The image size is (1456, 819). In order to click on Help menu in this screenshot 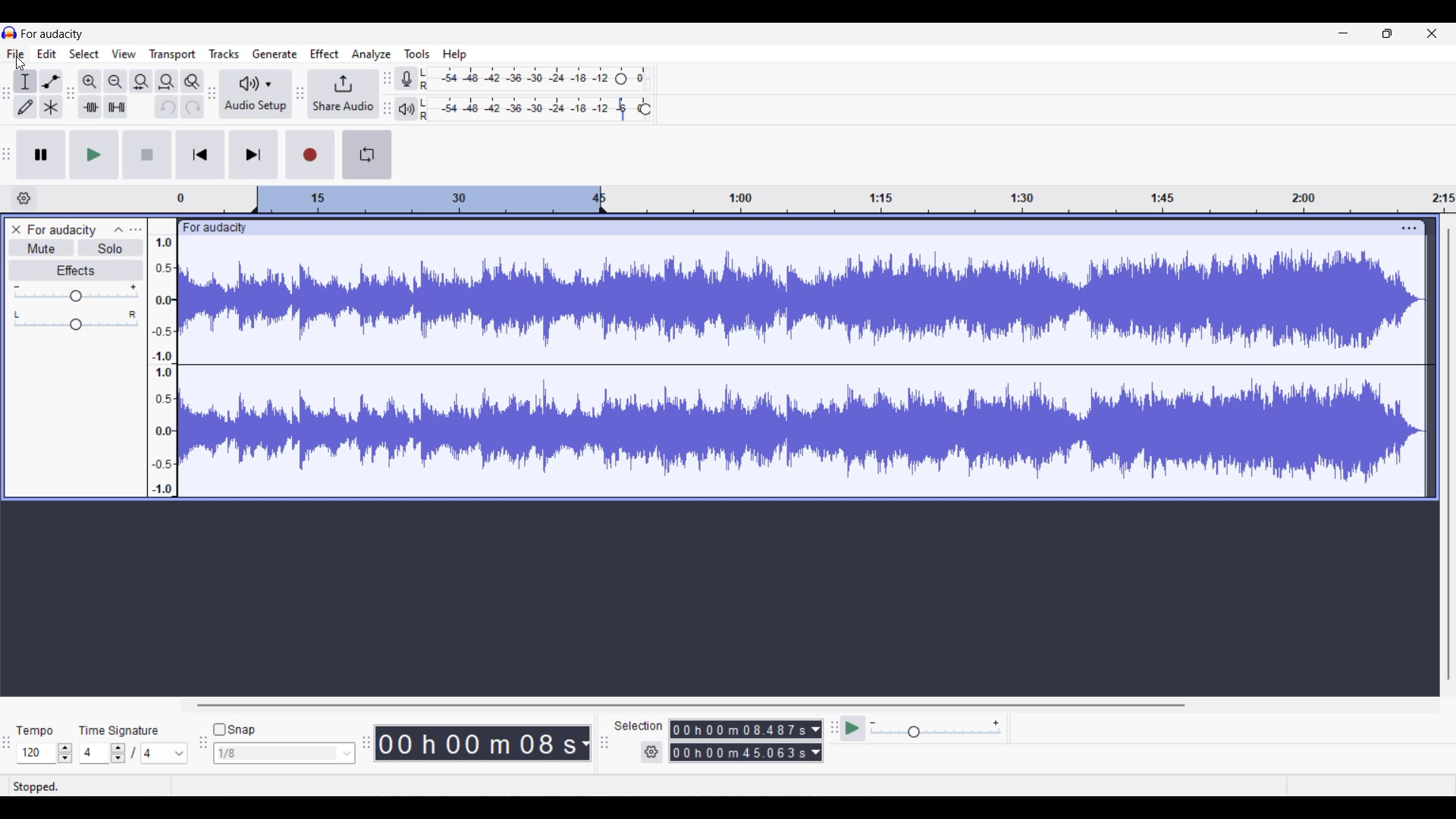, I will do `click(455, 55)`.